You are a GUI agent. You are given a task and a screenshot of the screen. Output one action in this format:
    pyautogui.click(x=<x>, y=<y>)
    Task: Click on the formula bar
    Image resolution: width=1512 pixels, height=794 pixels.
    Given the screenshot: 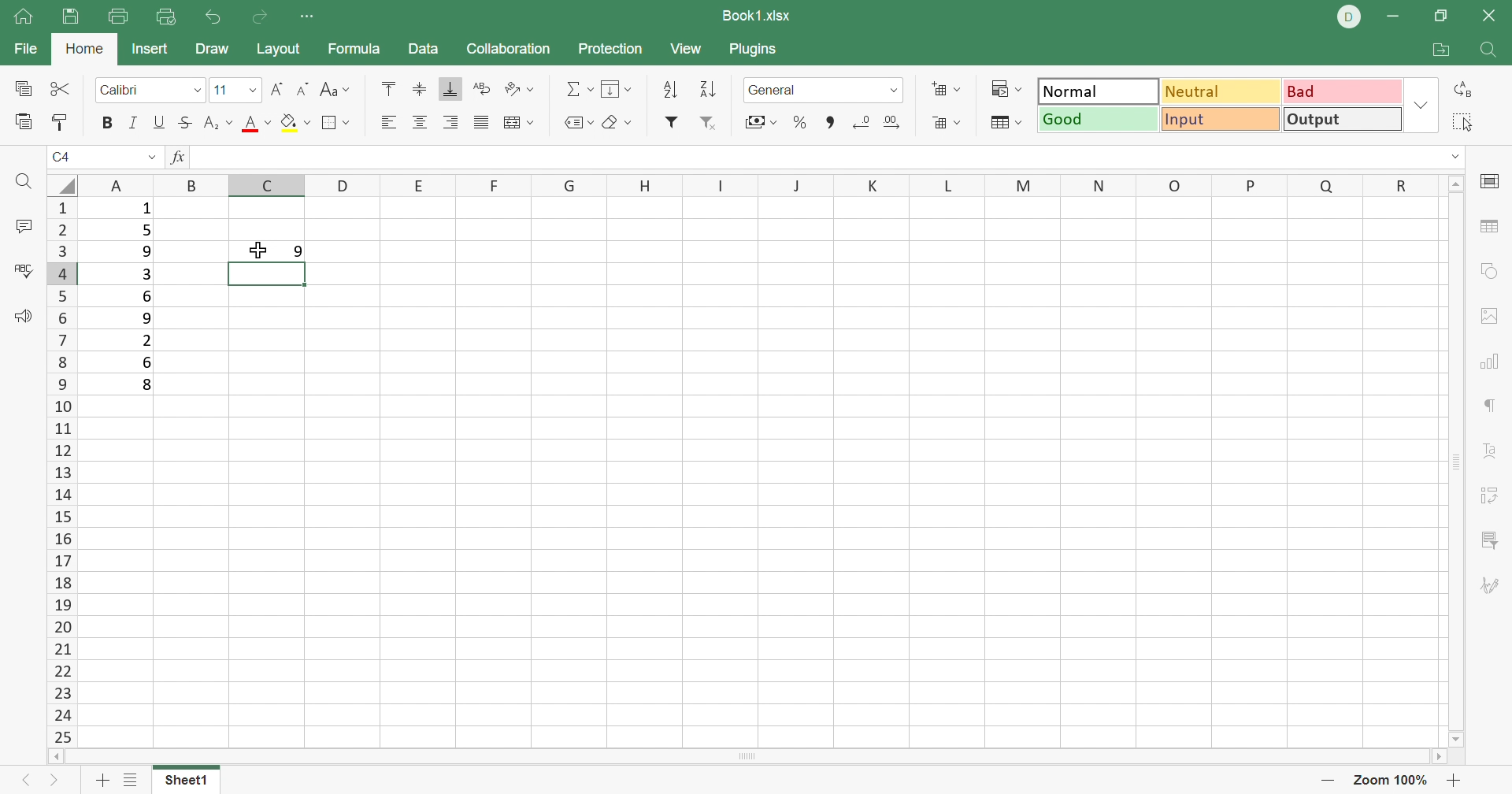 What is the action you would take?
    pyautogui.click(x=802, y=157)
    